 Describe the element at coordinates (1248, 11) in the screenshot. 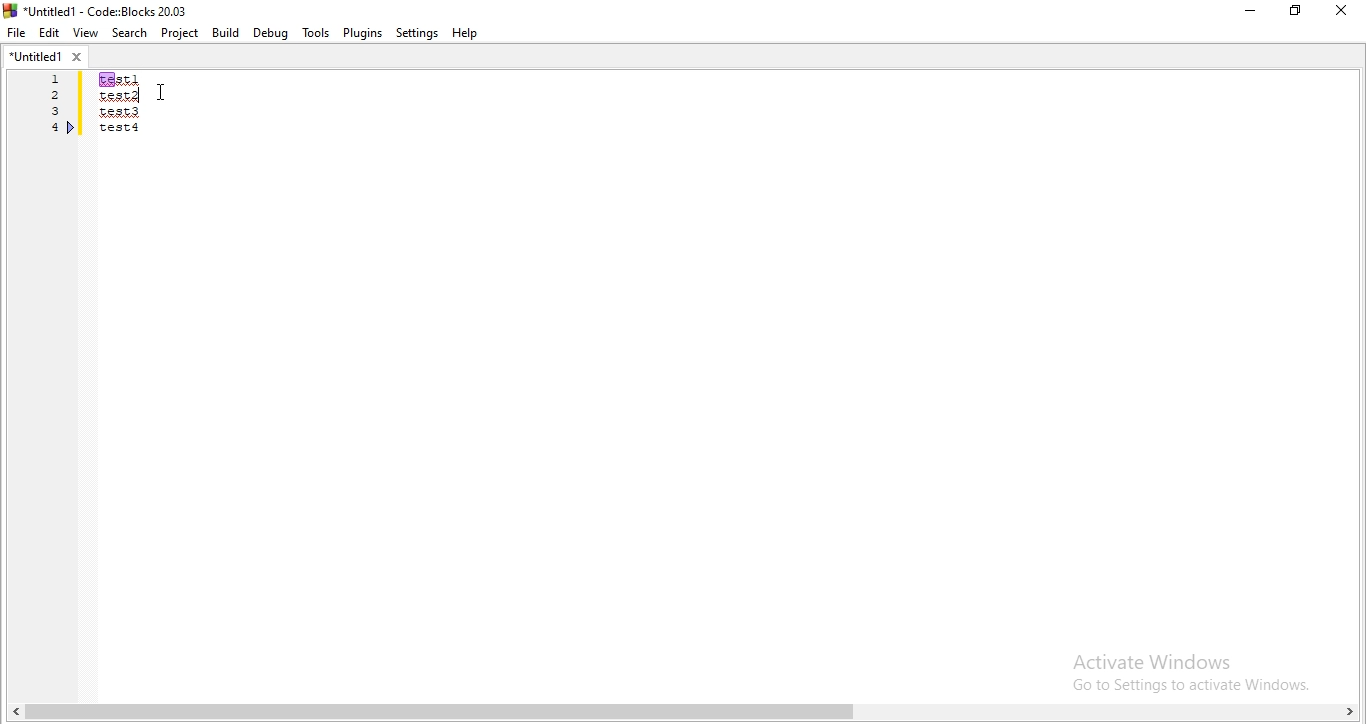

I see `Minimise` at that location.